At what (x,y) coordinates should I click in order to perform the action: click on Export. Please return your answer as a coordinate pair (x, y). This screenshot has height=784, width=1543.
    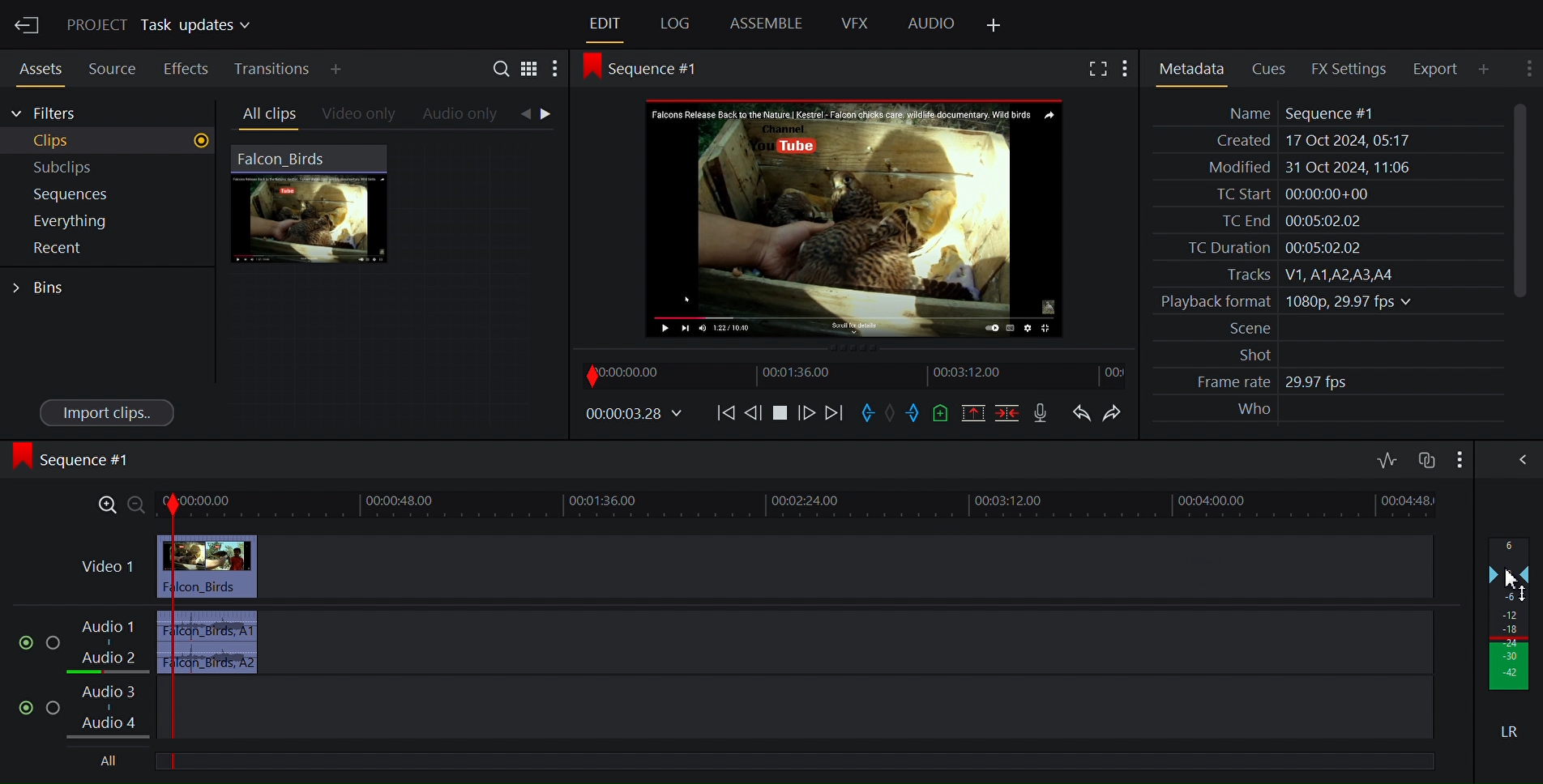
    Looking at the image, I should click on (1434, 69).